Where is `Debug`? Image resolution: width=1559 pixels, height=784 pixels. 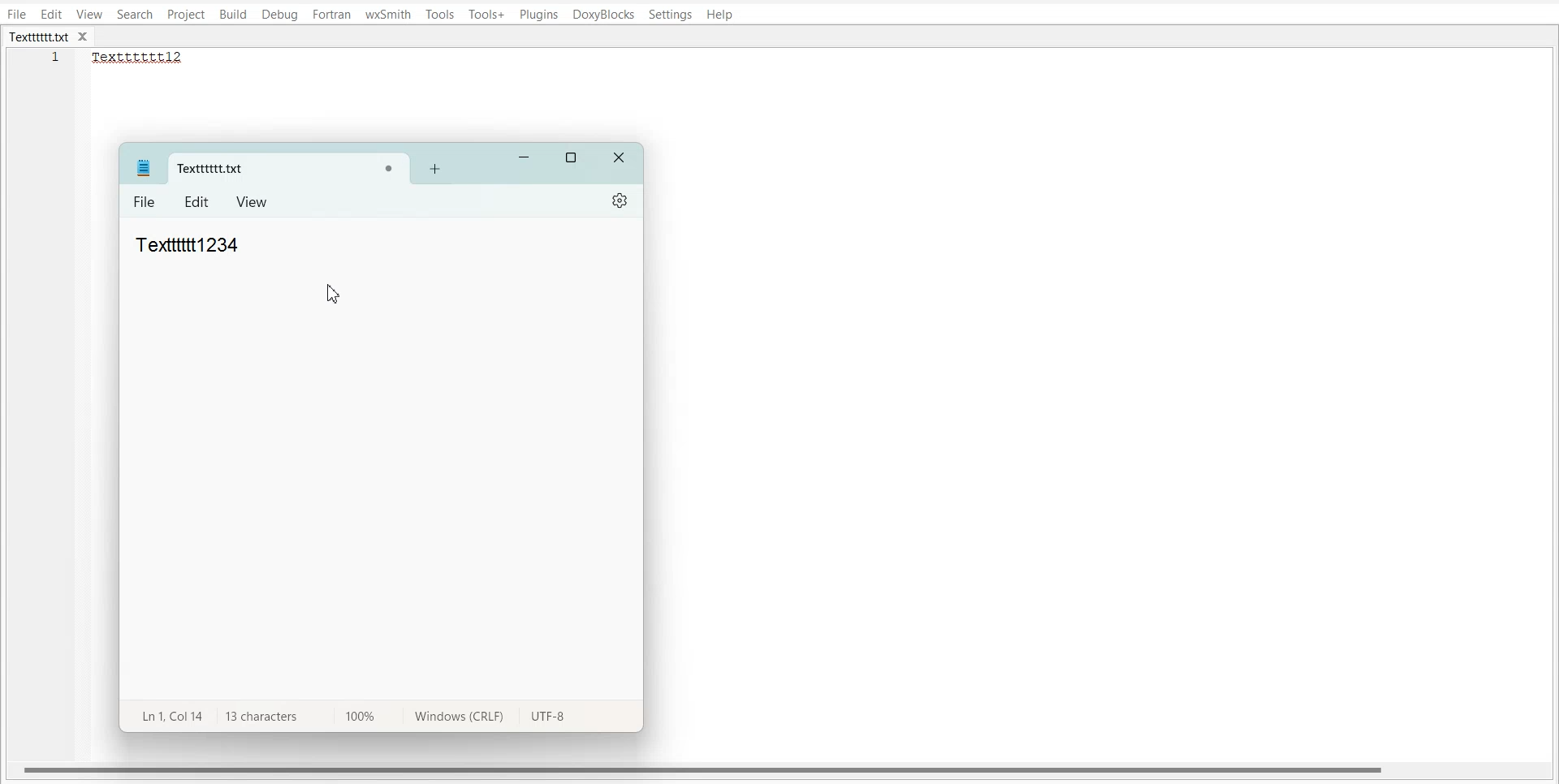
Debug is located at coordinates (279, 15).